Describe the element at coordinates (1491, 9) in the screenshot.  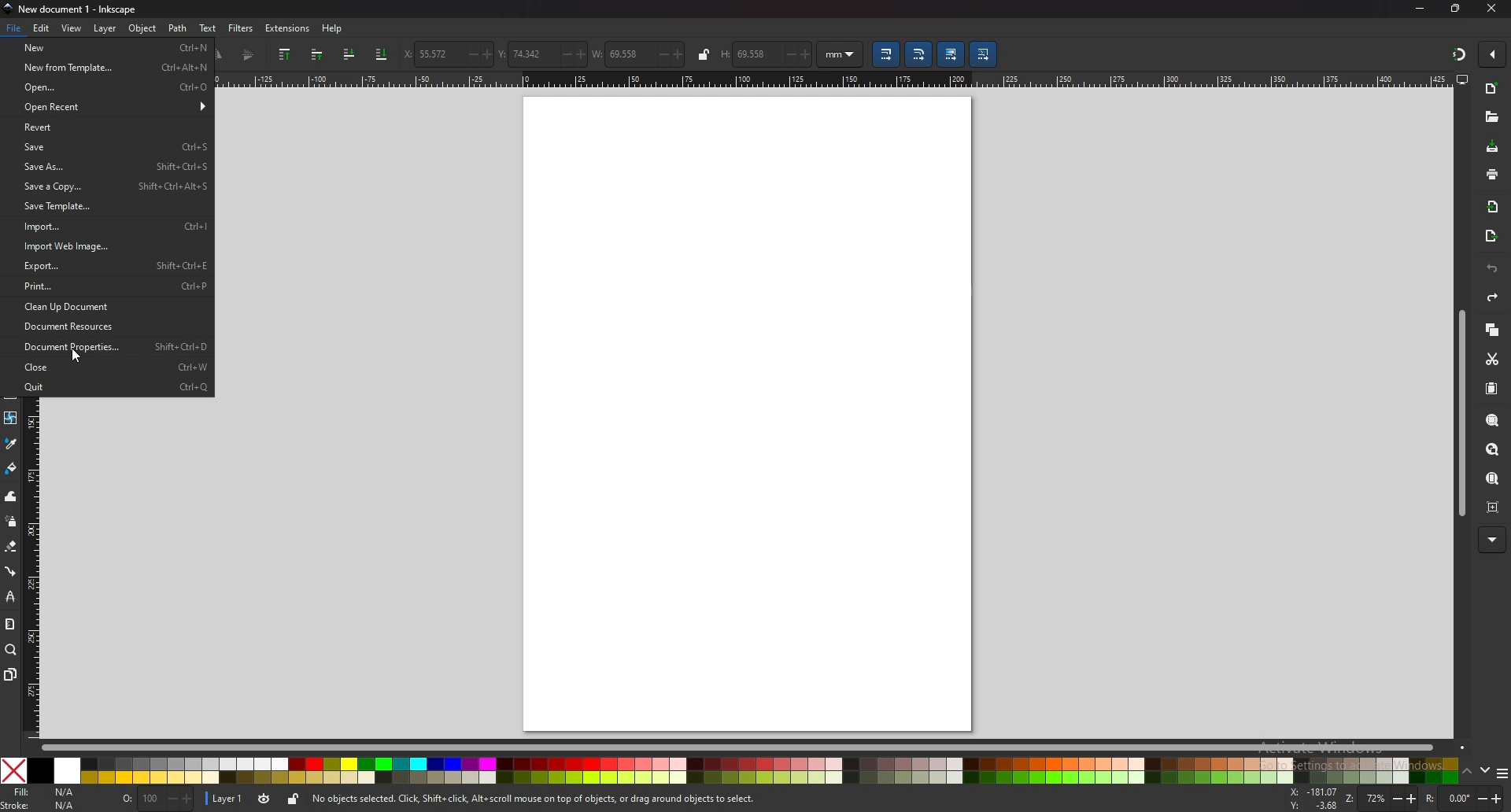
I see `close` at that location.